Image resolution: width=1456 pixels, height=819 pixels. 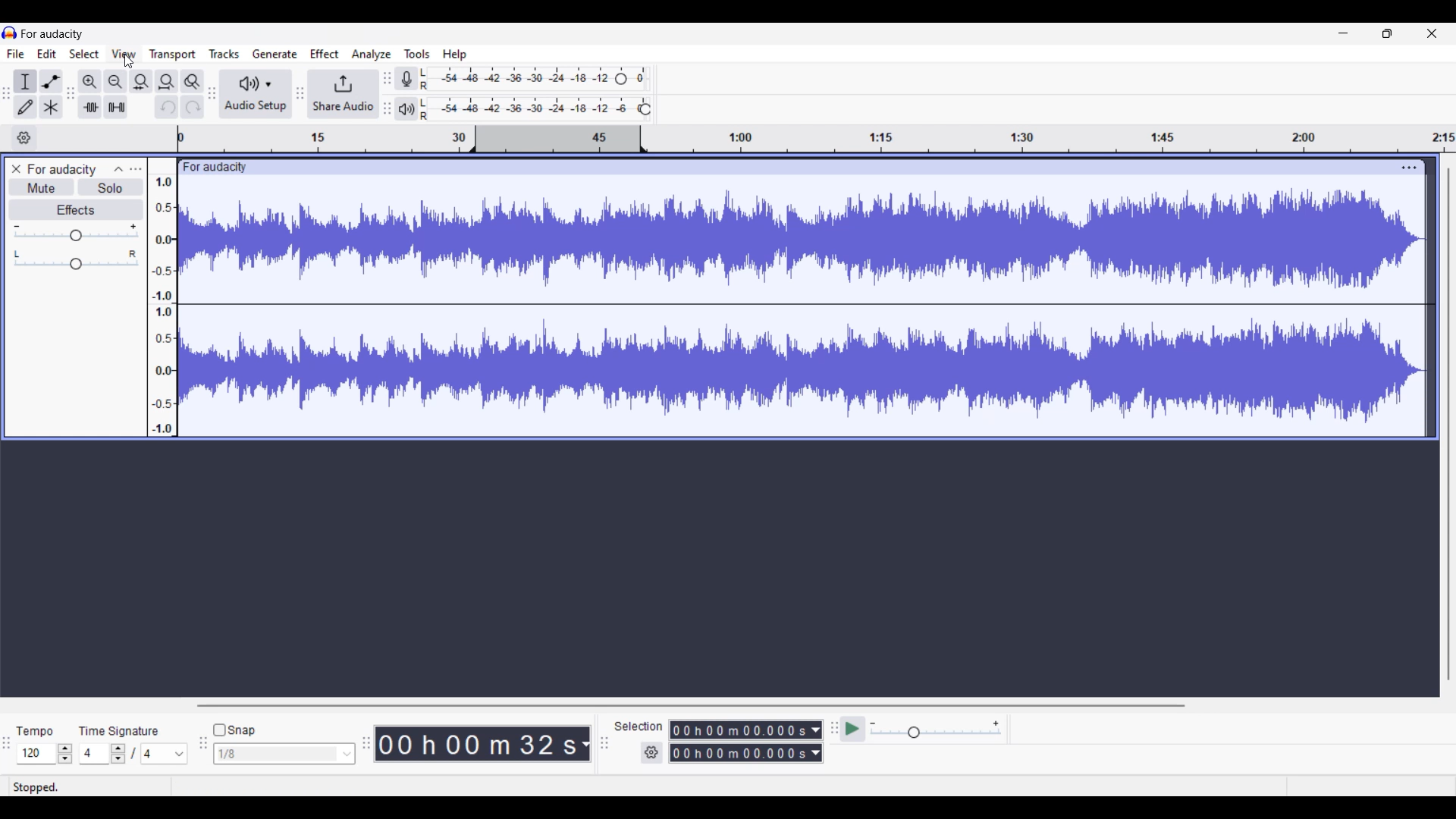 I want to click on Multi-tool, so click(x=51, y=107).